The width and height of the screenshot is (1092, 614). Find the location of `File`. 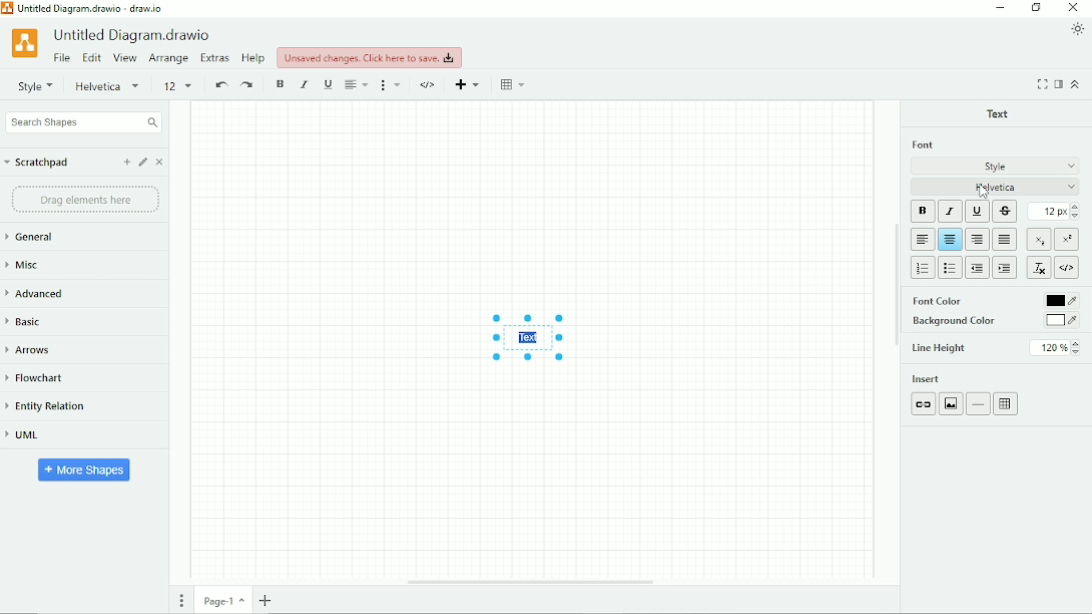

File is located at coordinates (62, 57).